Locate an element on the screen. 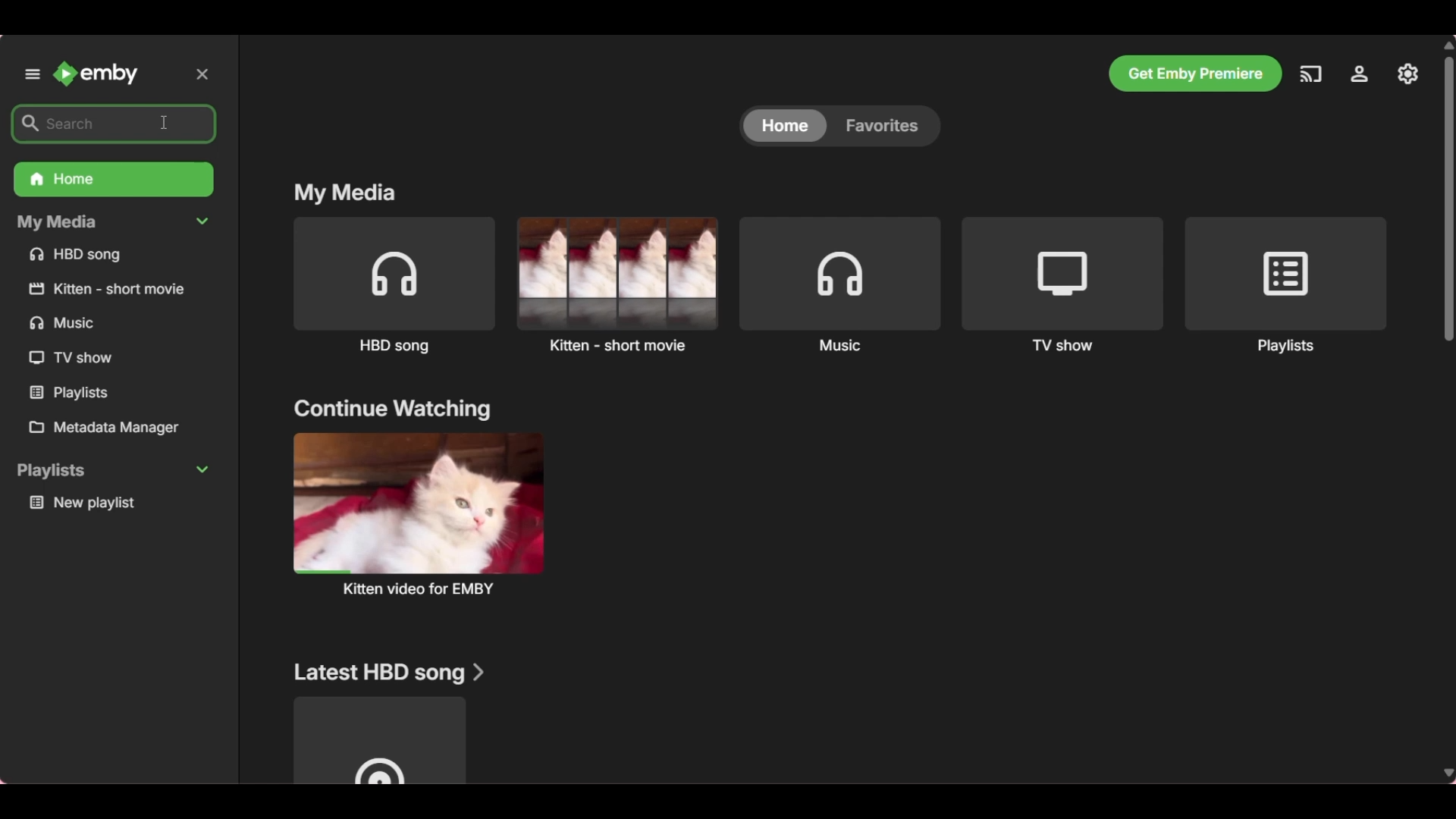   Emby is located at coordinates (97, 74).